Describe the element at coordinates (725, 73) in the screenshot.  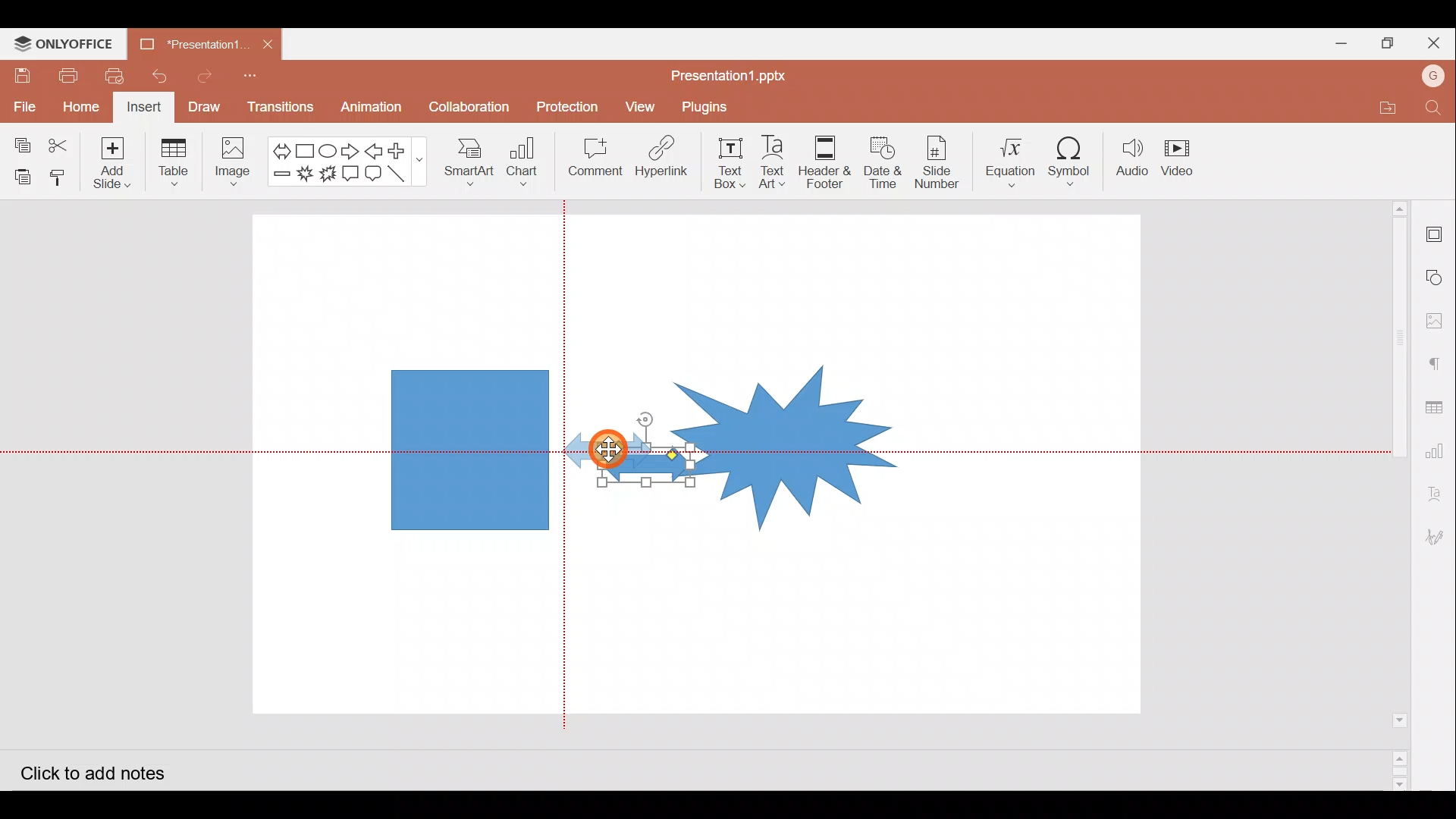
I see `Presentation1.pptx` at that location.